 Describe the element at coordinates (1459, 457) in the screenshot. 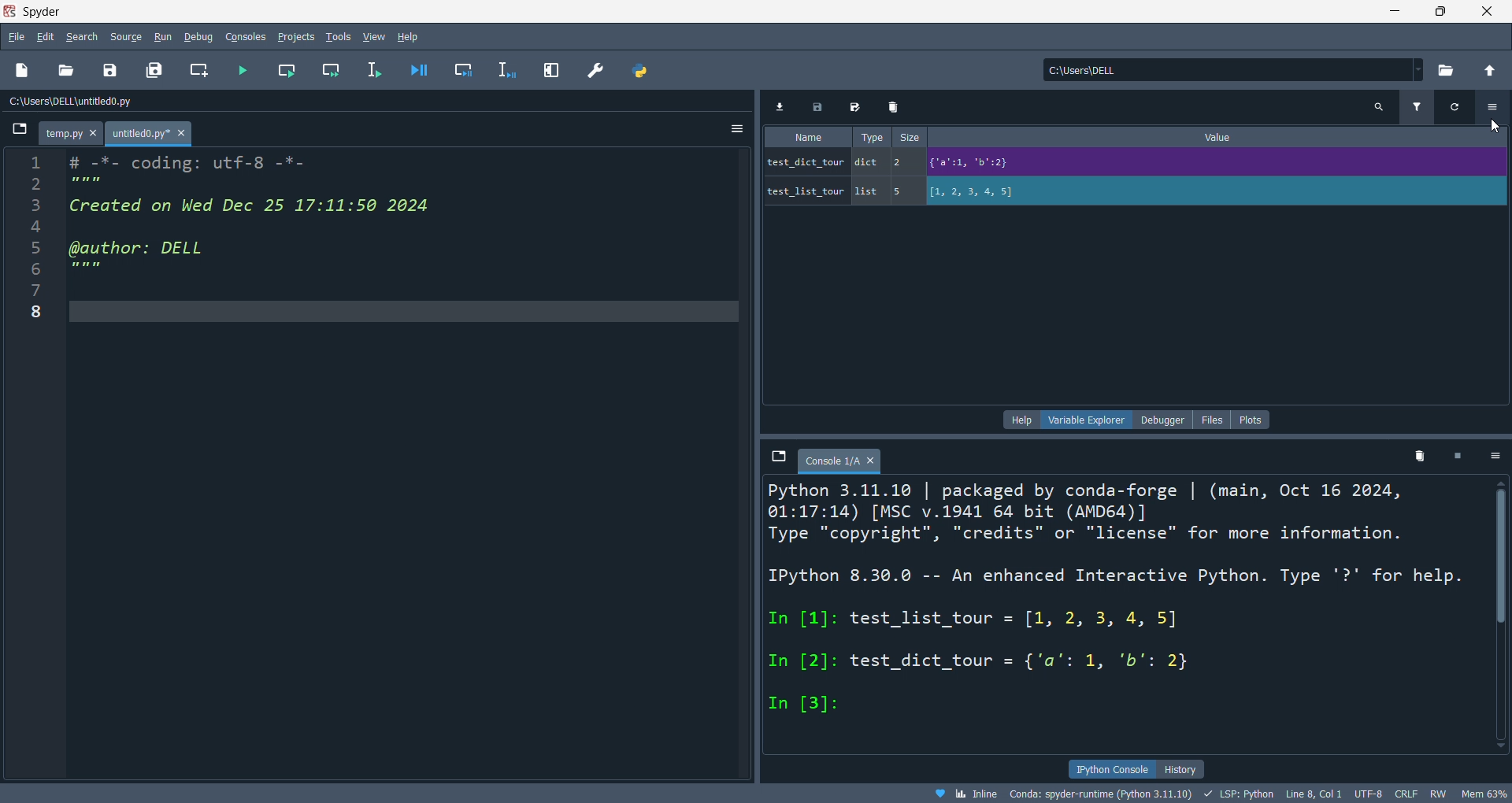

I see `close kernel` at that location.